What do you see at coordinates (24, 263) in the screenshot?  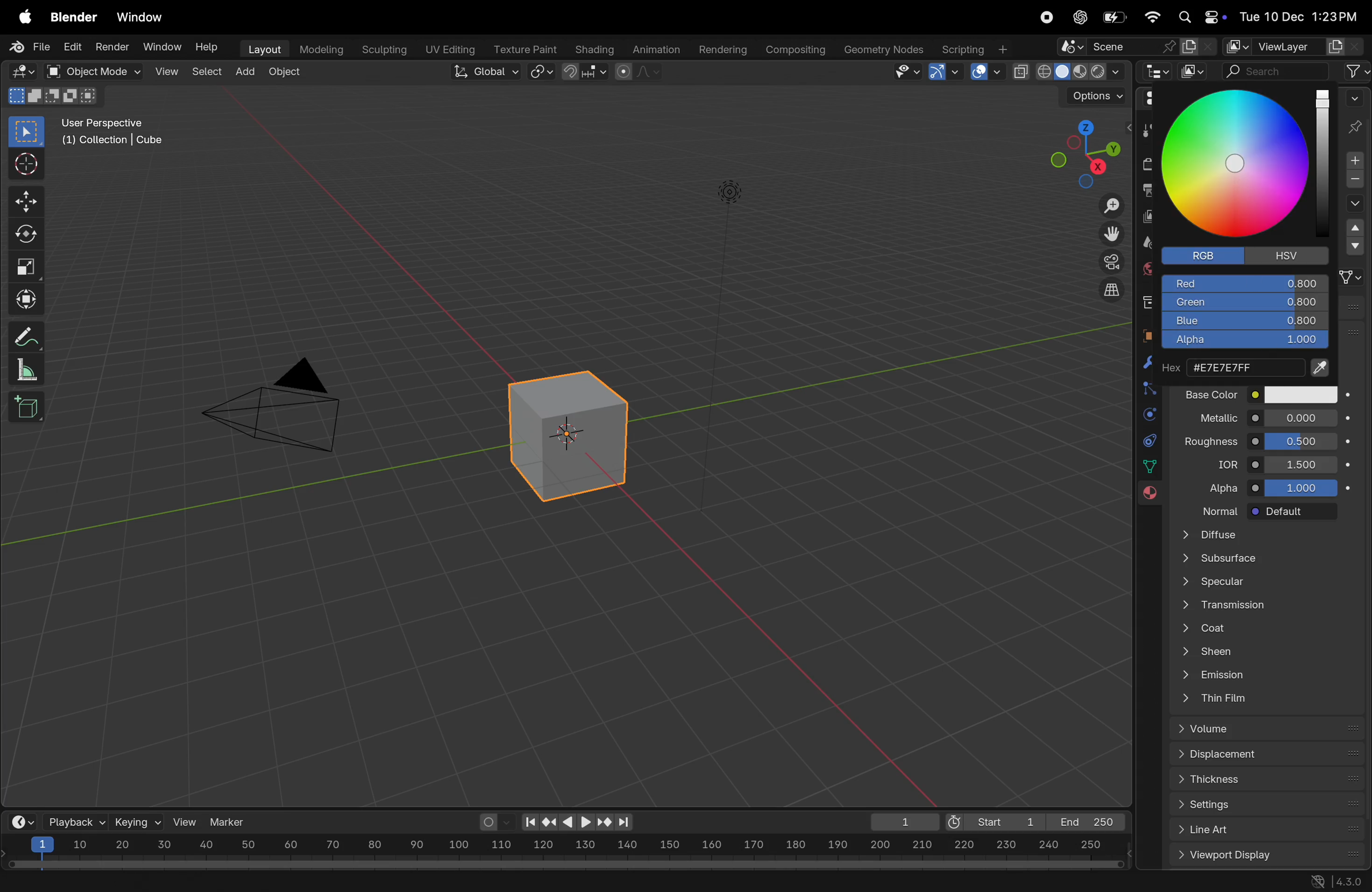 I see `scale` at bounding box center [24, 263].